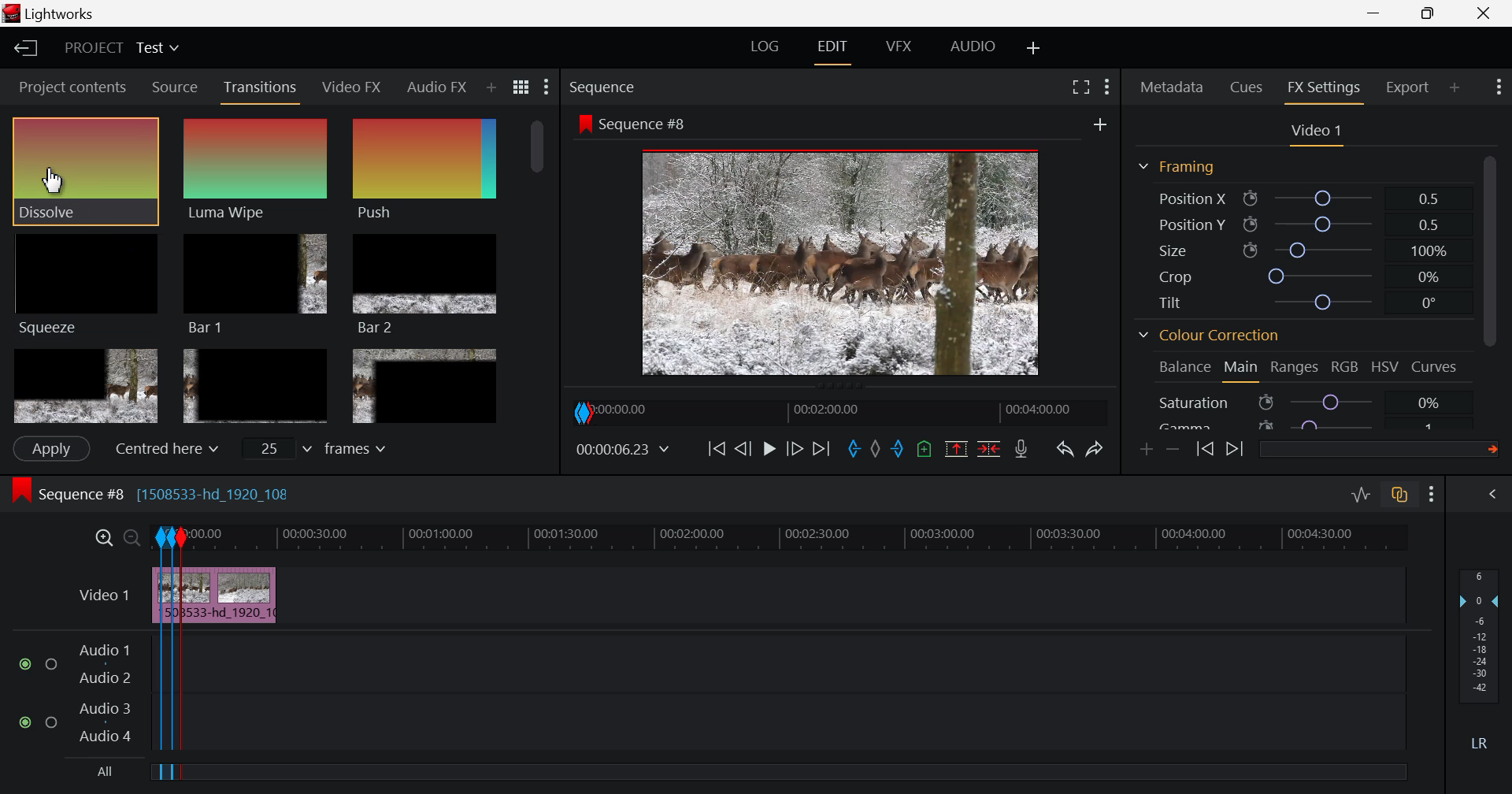 The image size is (1512, 794). I want to click on Crop, so click(1300, 276).